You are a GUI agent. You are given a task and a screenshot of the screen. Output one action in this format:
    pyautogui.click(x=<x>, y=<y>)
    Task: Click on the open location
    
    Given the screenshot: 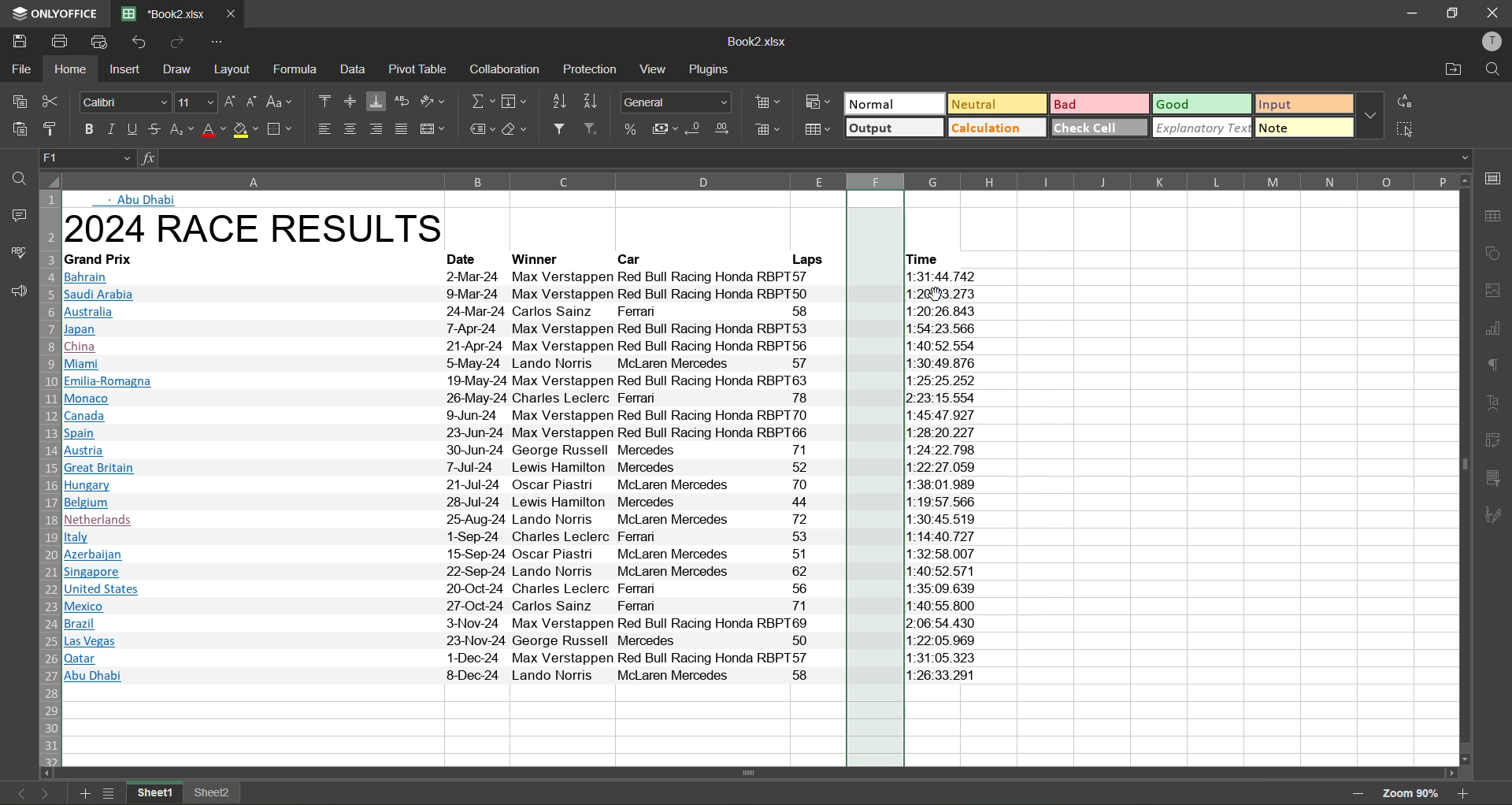 What is the action you would take?
    pyautogui.click(x=1450, y=69)
    